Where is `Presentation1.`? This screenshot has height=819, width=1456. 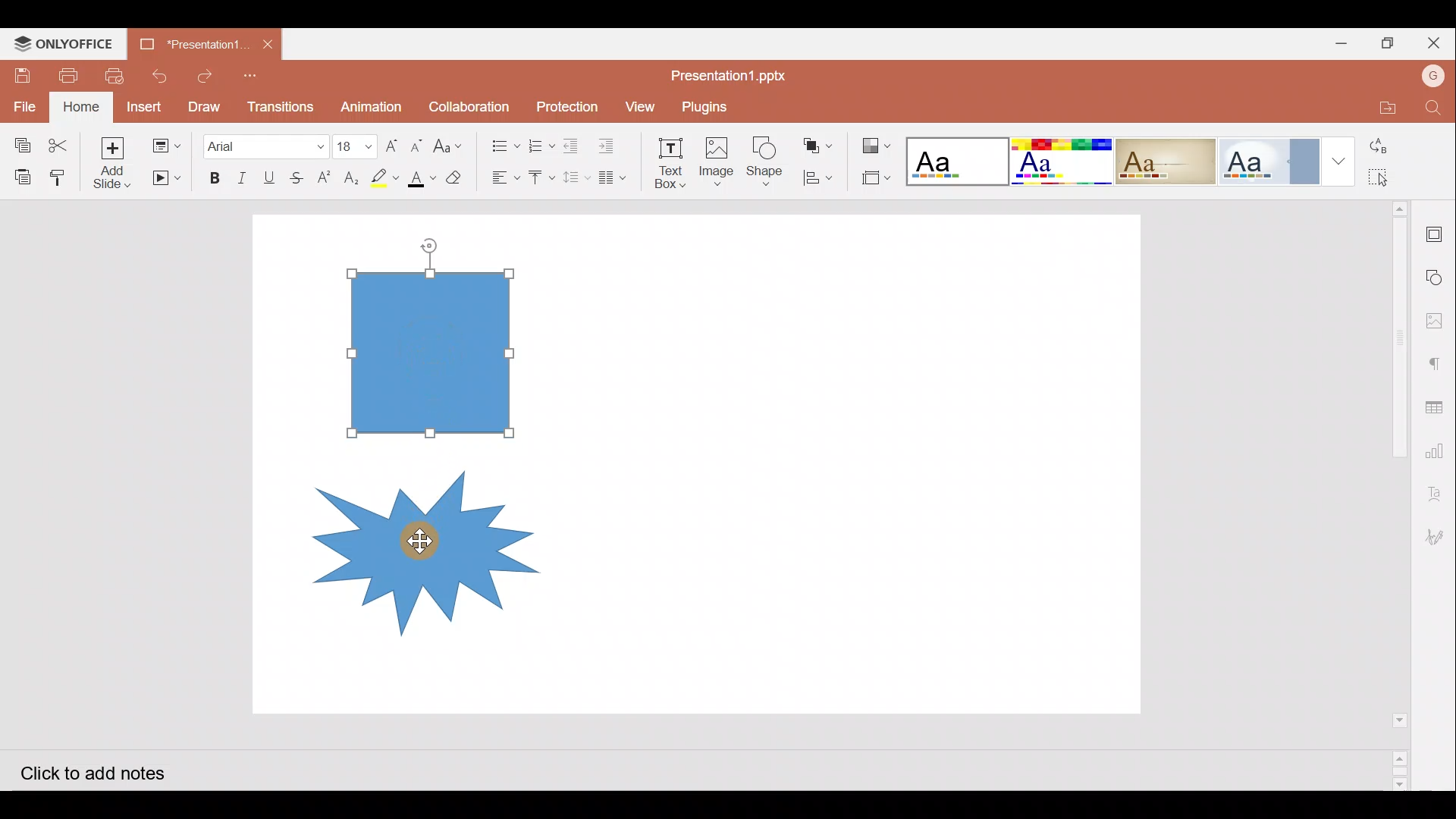 Presentation1. is located at coordinates (188, 45).